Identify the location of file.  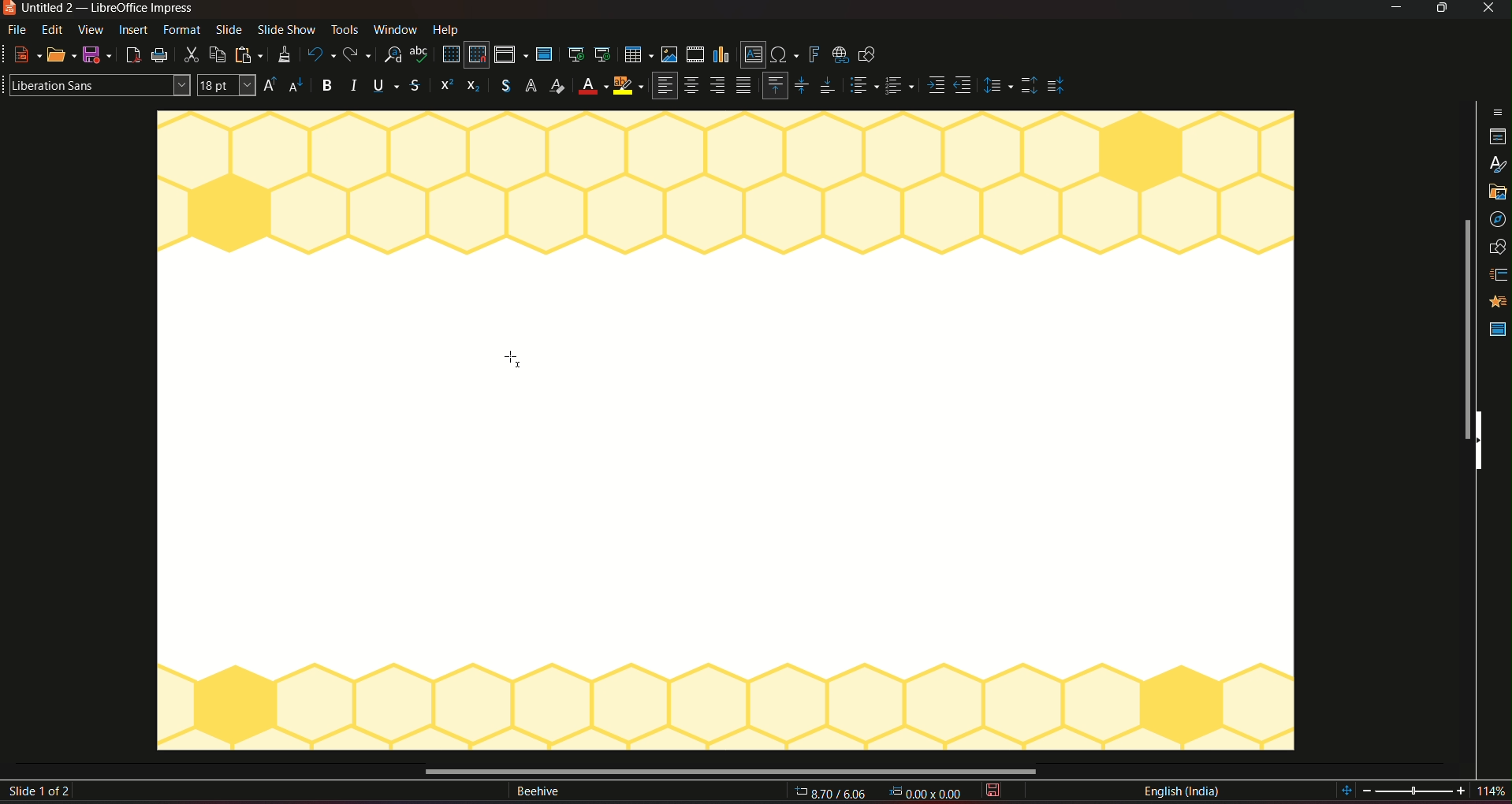
(20, 31).